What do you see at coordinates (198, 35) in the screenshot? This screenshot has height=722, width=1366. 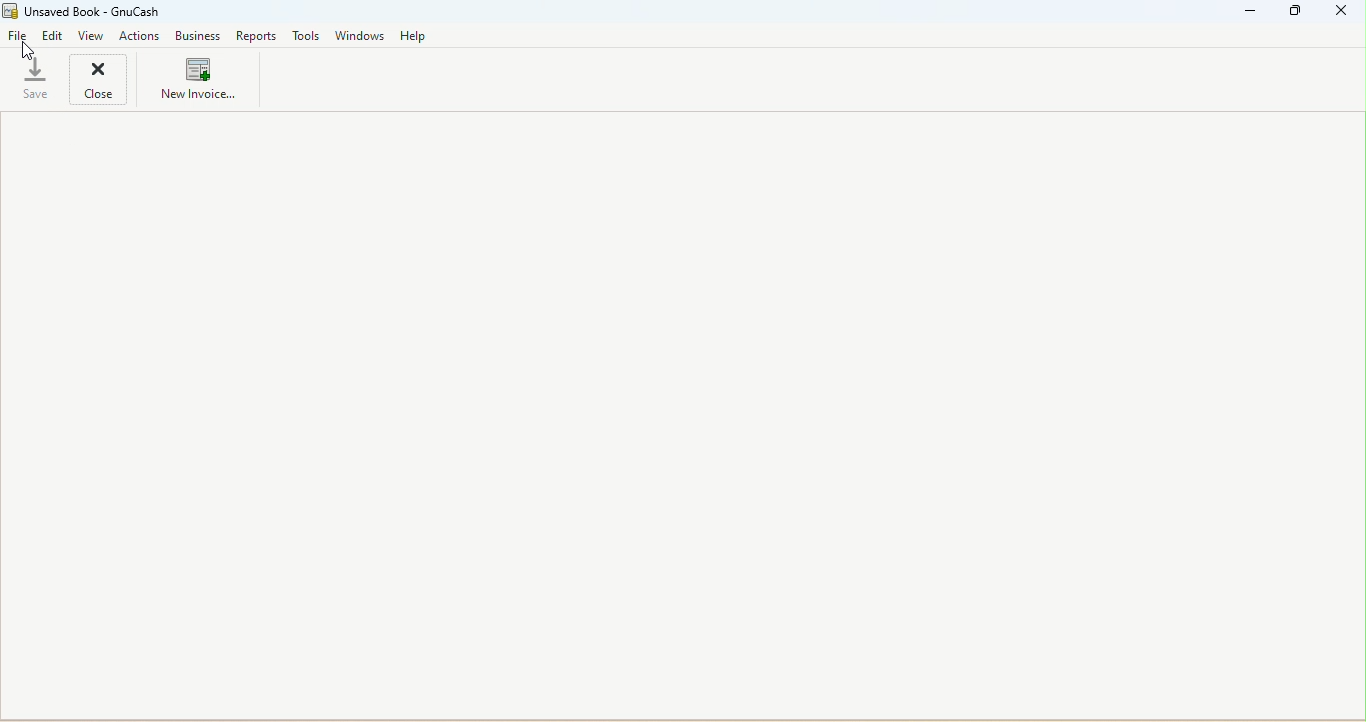 I see `Business` at bounding box center [198, 35].